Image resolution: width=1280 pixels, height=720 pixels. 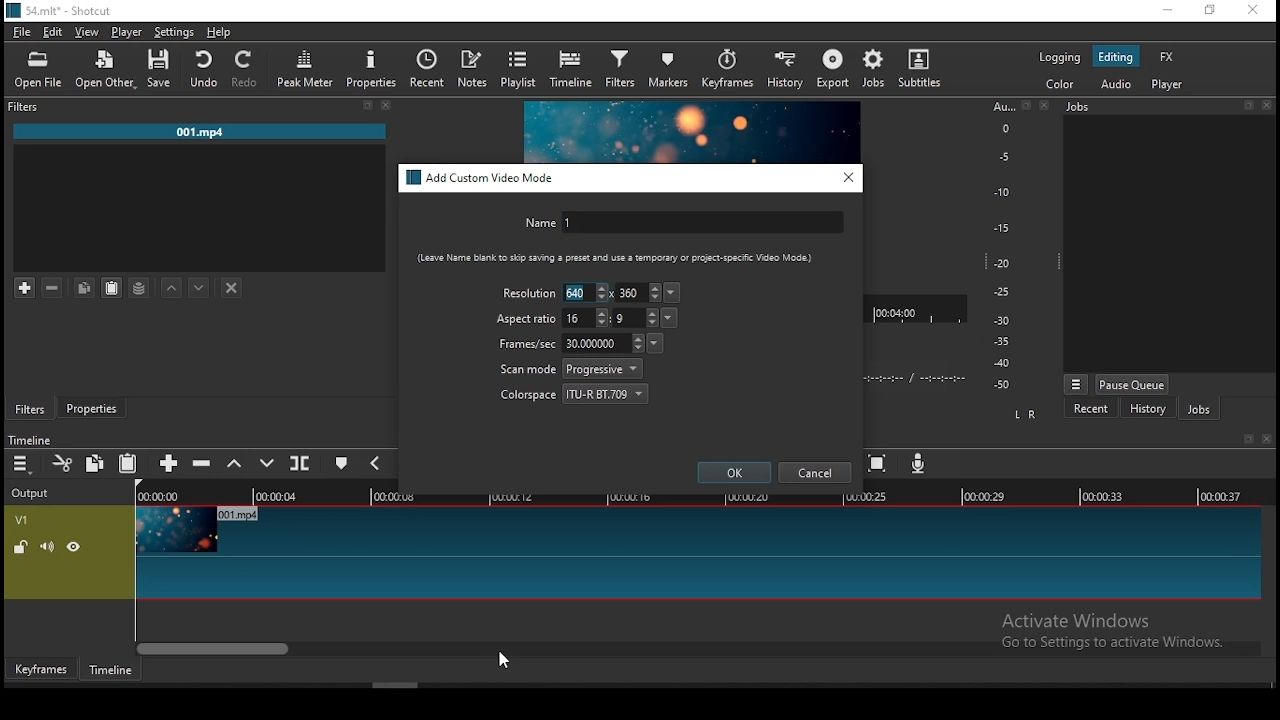 What do you see at coordinates (299, 462) in the screenshot?
I see `split at playhead` at bounding box center [299, 462].